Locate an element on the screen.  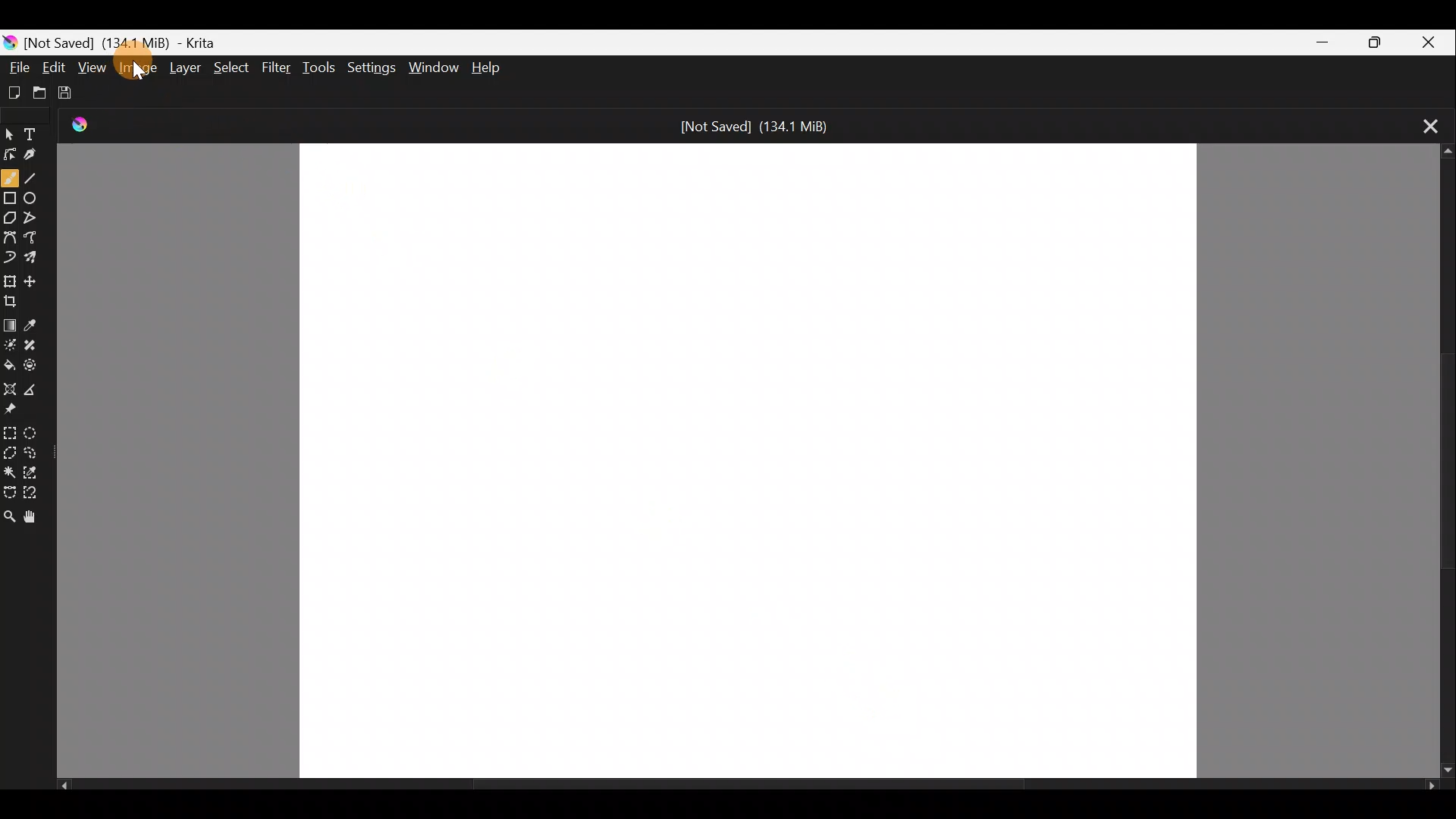
Layer is located at coordinates (187, 71).